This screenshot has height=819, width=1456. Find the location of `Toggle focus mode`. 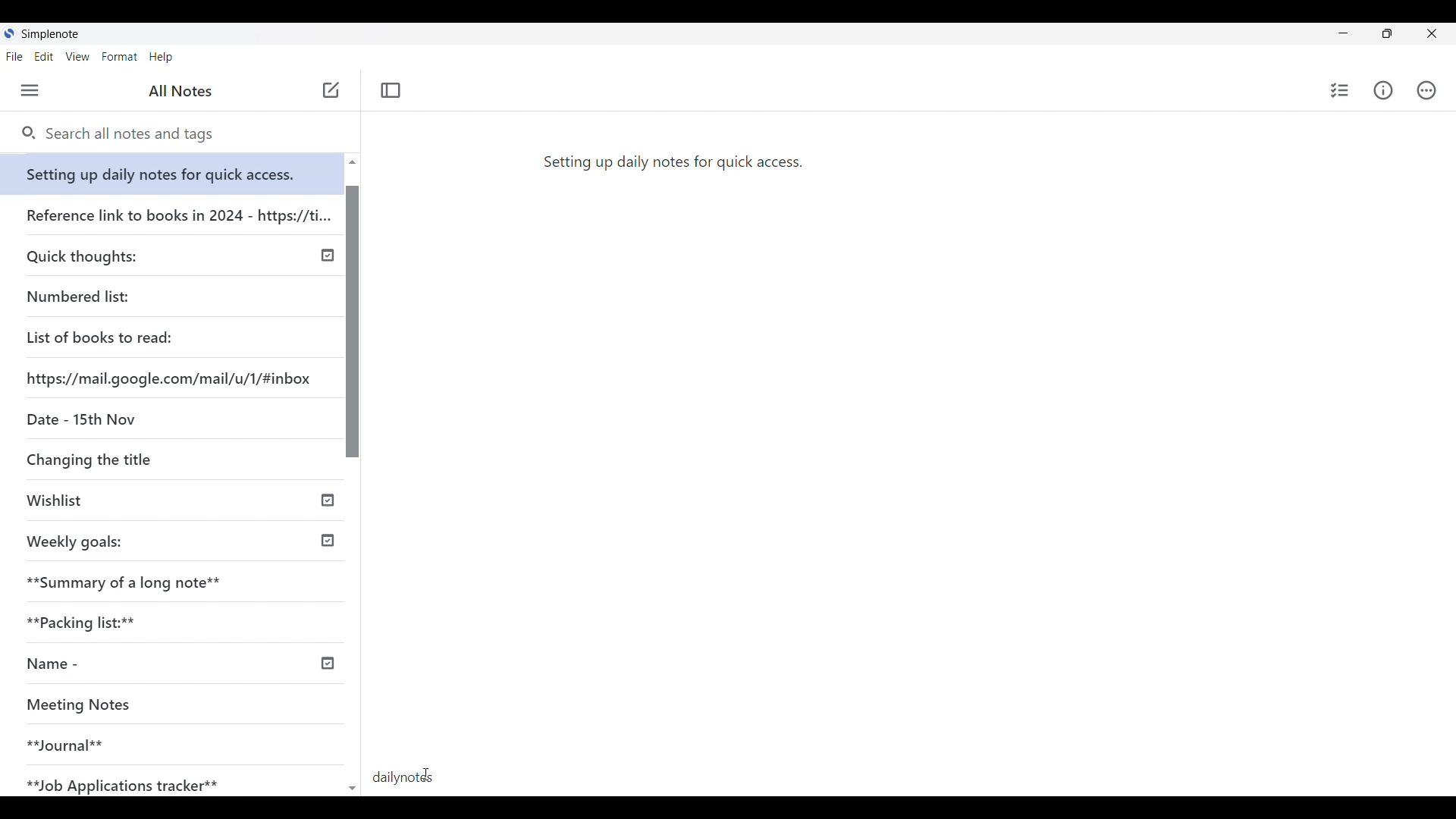

Toggle focus mode is located at coordinates (391, 91).